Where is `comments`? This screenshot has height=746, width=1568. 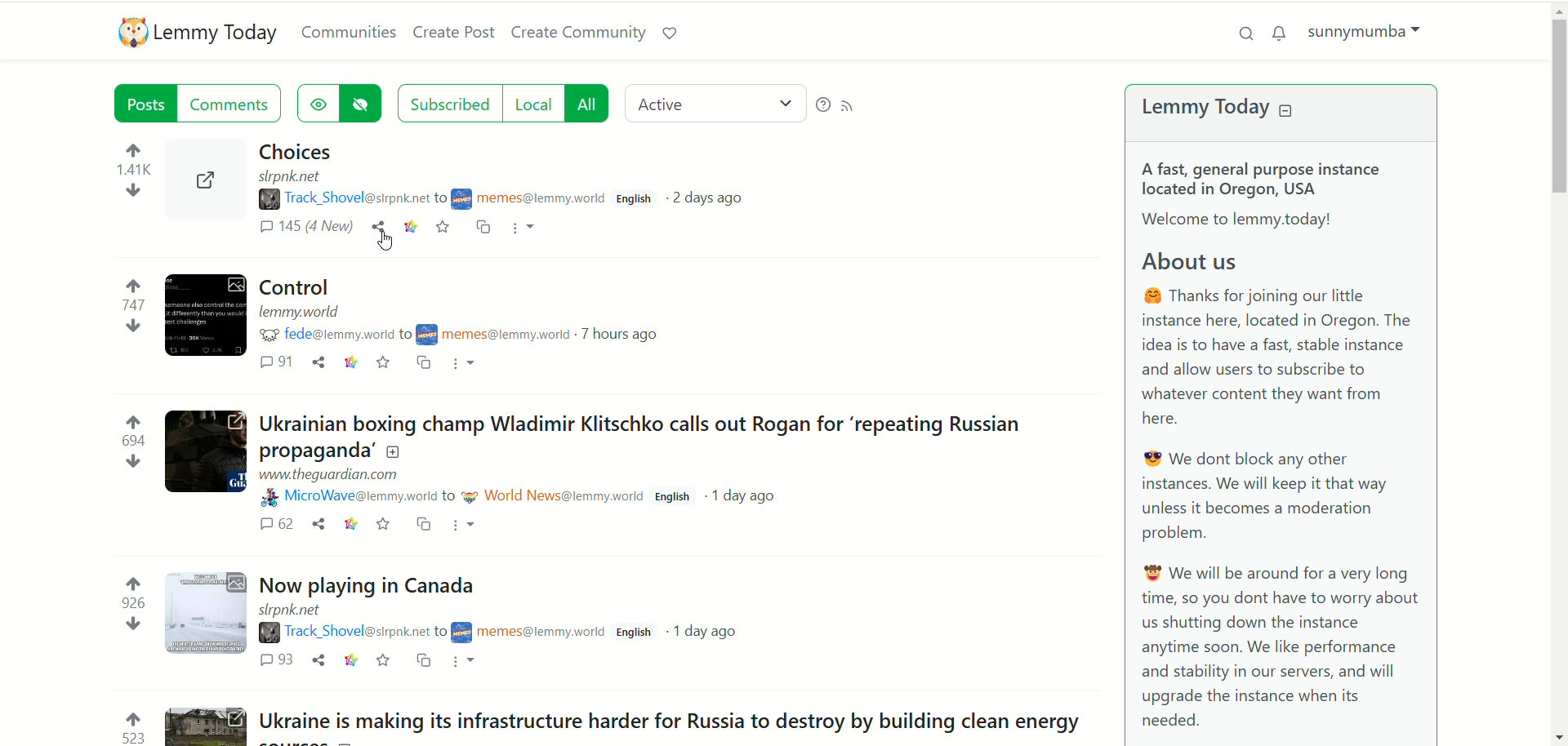
comments is located at coordinates (274, 524).